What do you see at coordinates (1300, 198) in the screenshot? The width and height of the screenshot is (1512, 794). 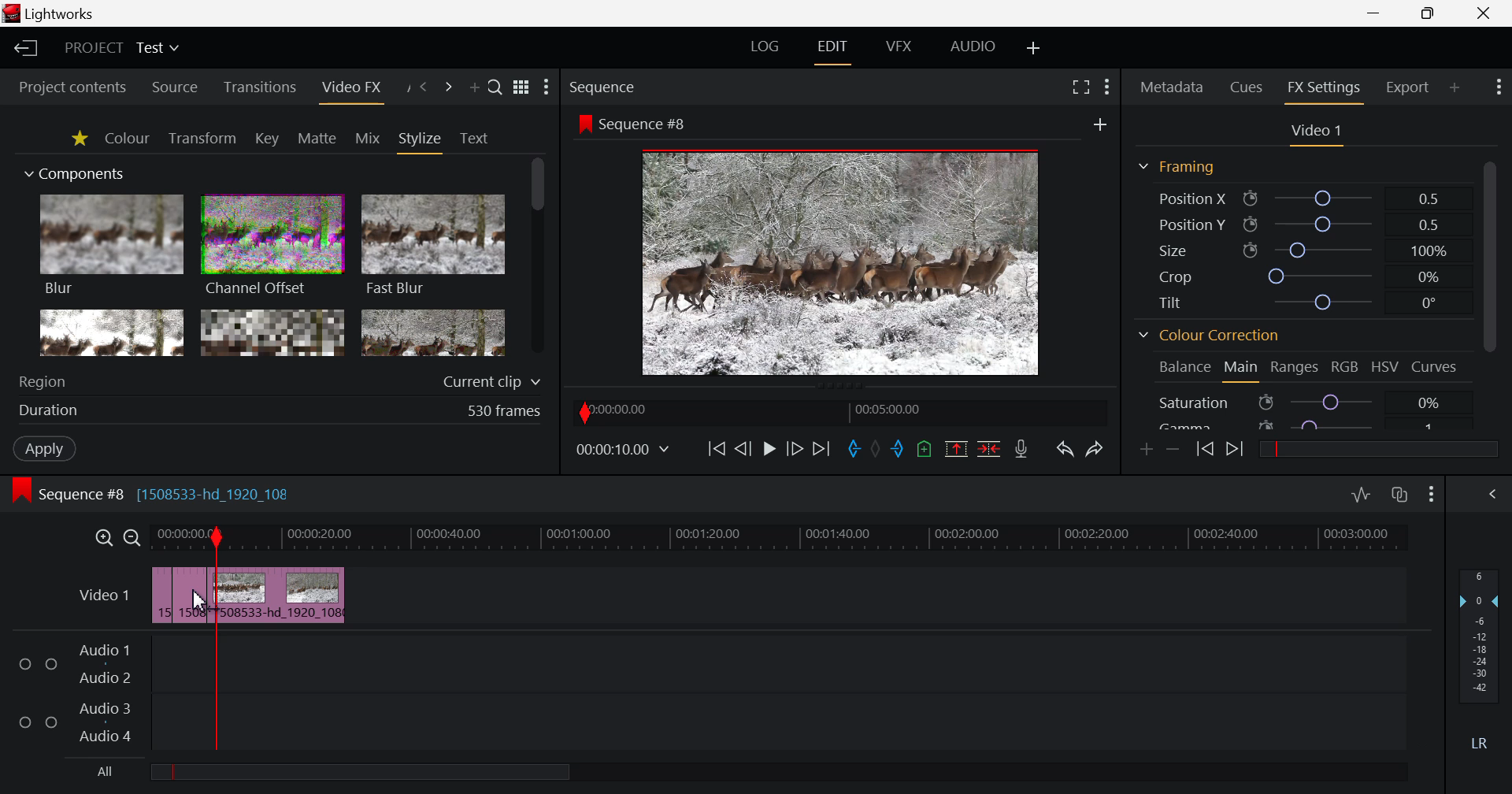 I see `Position X` at bounding box center [1300, 198].